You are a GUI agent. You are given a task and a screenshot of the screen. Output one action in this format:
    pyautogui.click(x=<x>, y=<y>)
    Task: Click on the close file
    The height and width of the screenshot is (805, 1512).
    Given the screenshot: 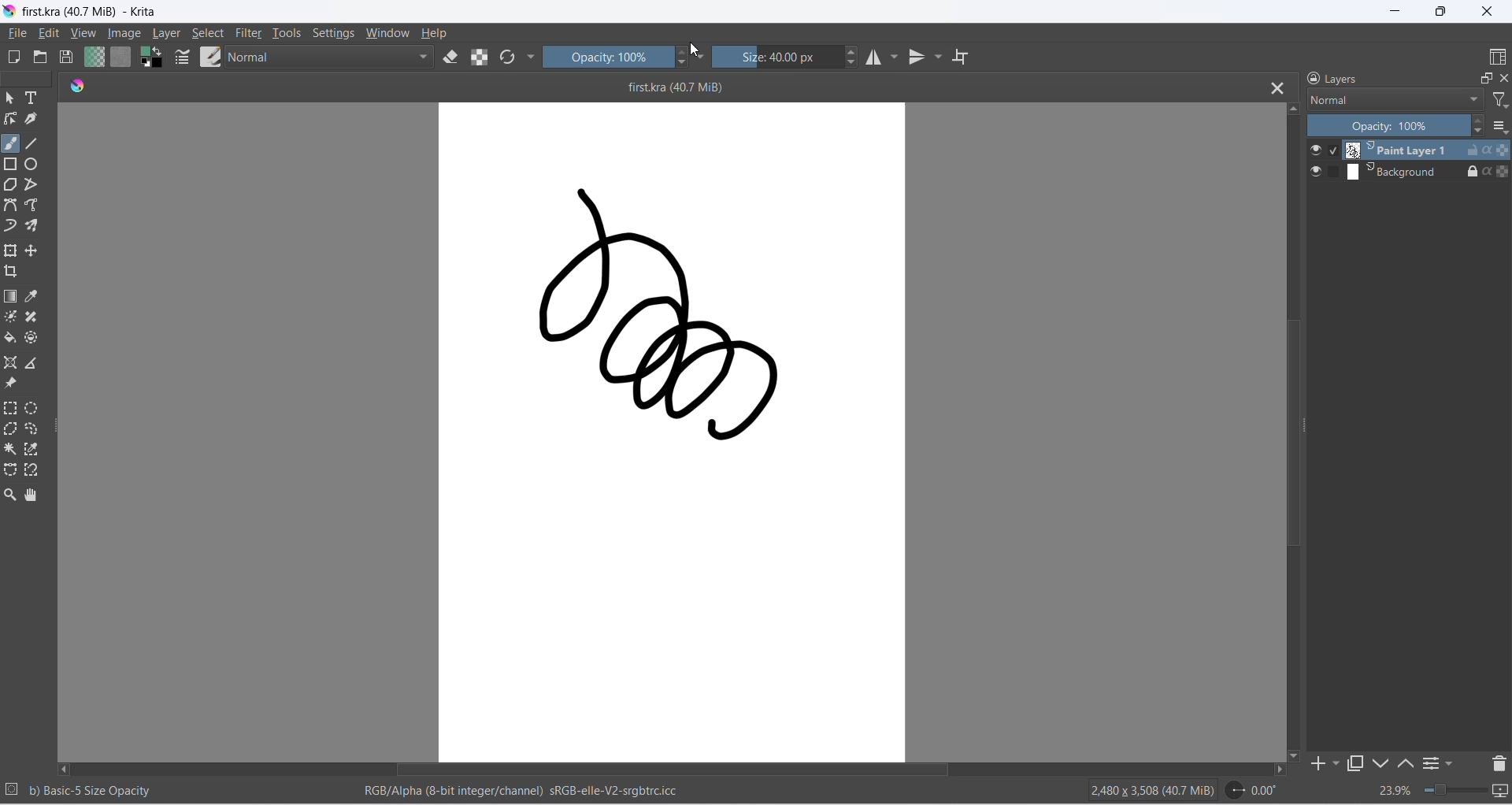 What is the action you would take?
    pyautogui.click(x=1277, y=87)
    